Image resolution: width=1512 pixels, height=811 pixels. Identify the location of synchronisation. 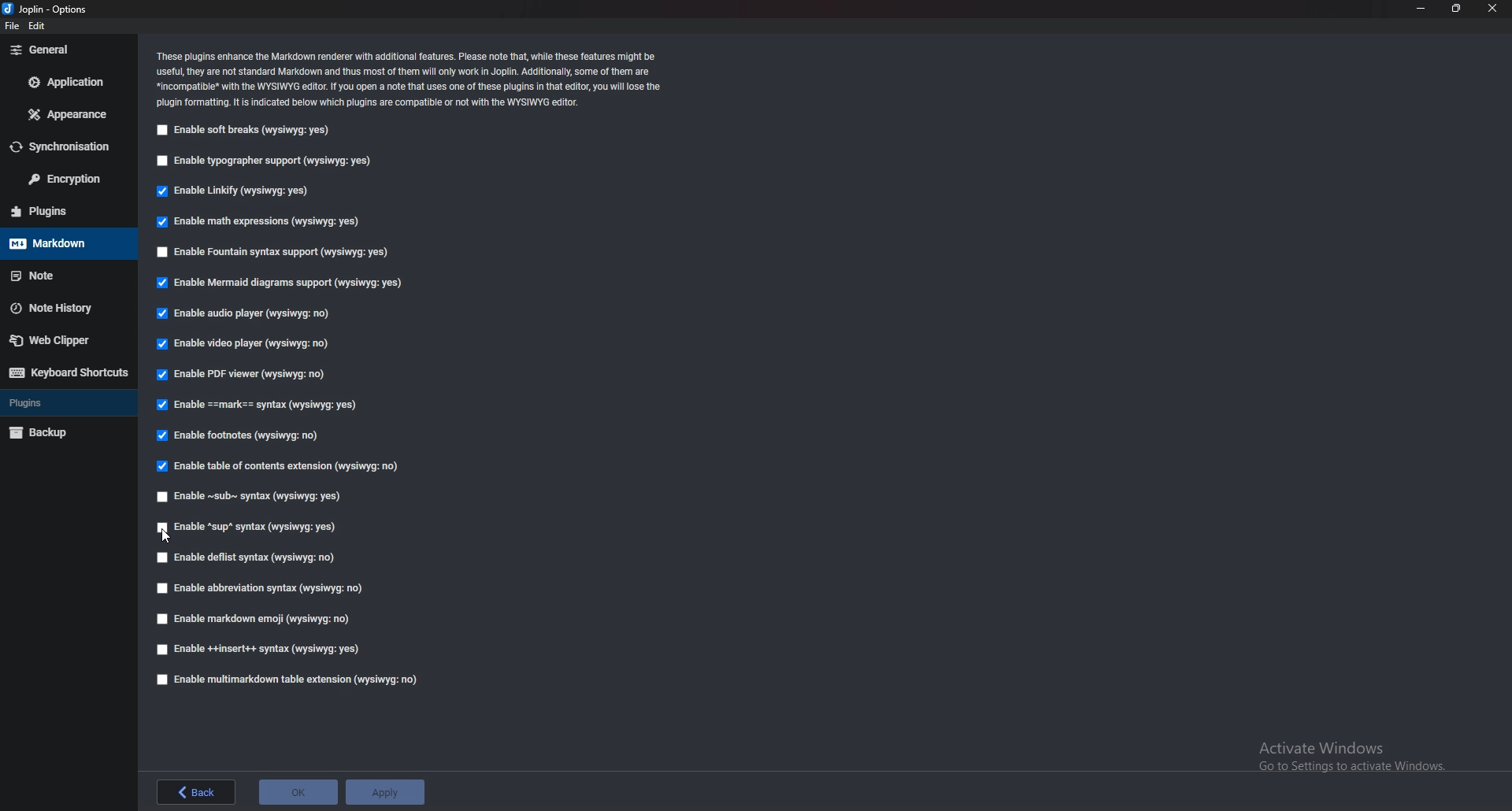
(61, 146).